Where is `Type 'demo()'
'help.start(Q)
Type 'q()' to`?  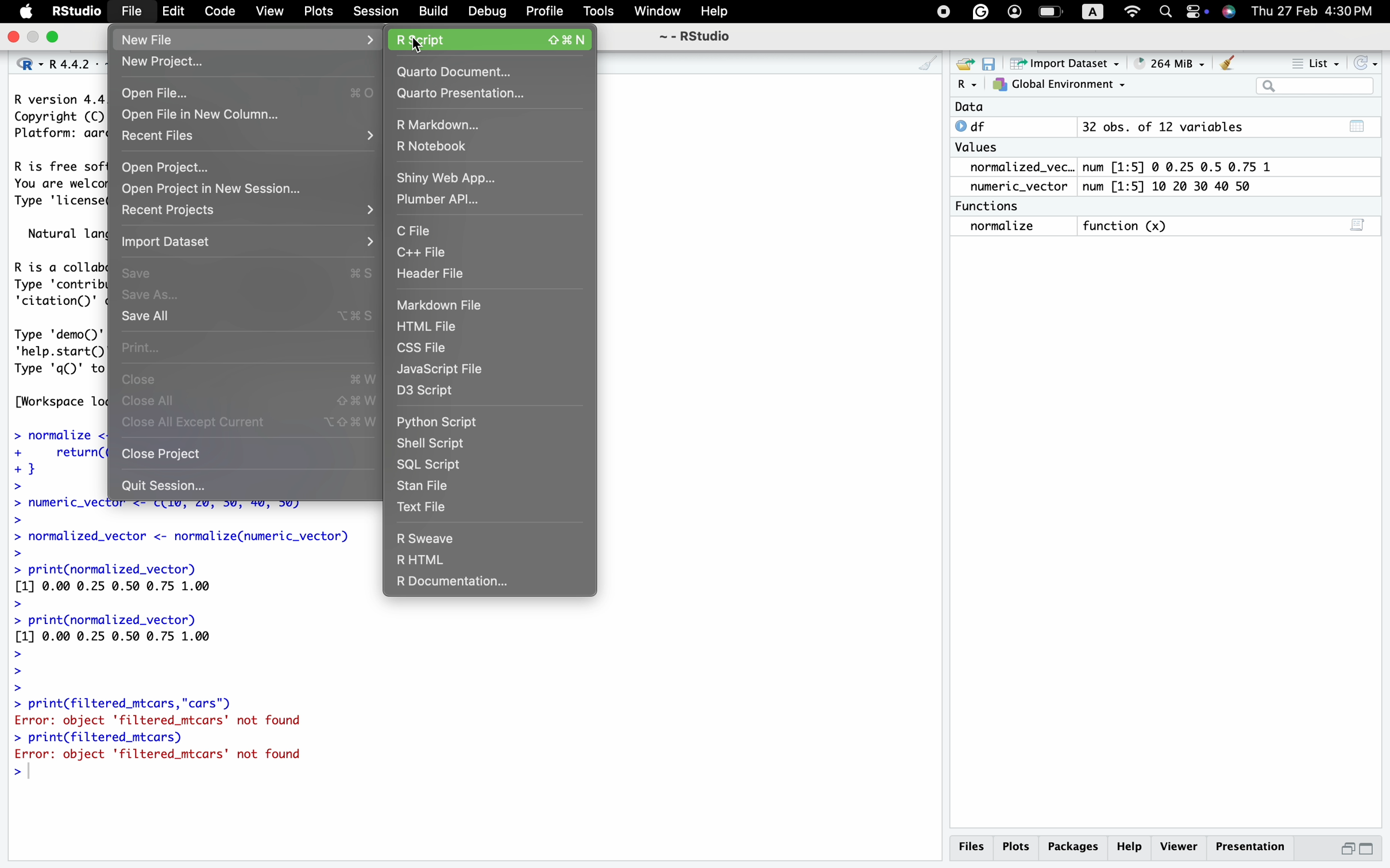 Type 'demo()'
'help.start(Q)
Type 'q()' to is located at coordinates (60, 352).